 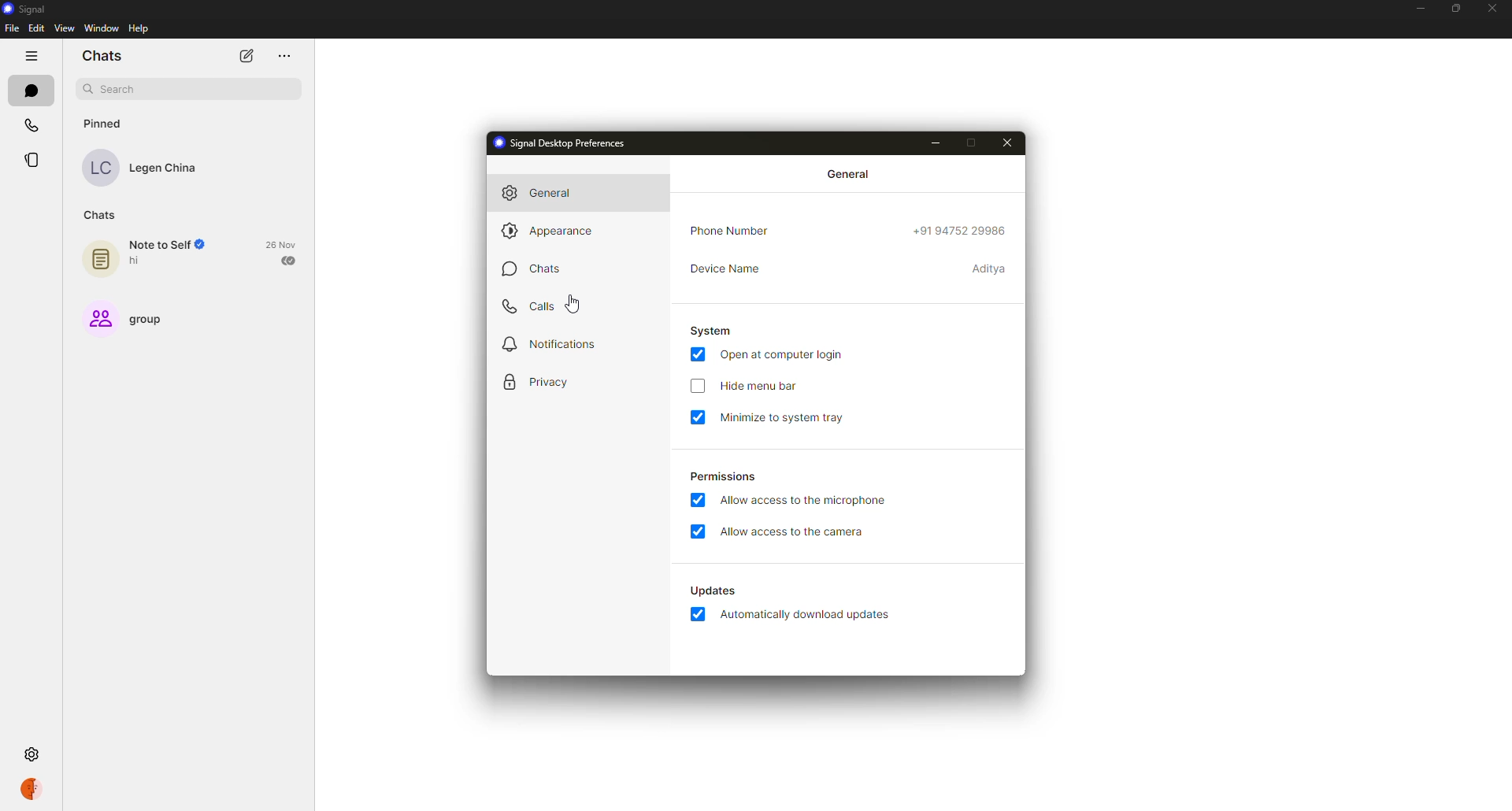 What do you see at coordinates (700, 356) in the screenshot?
I see `enabled` at bounding box center [700, 356].